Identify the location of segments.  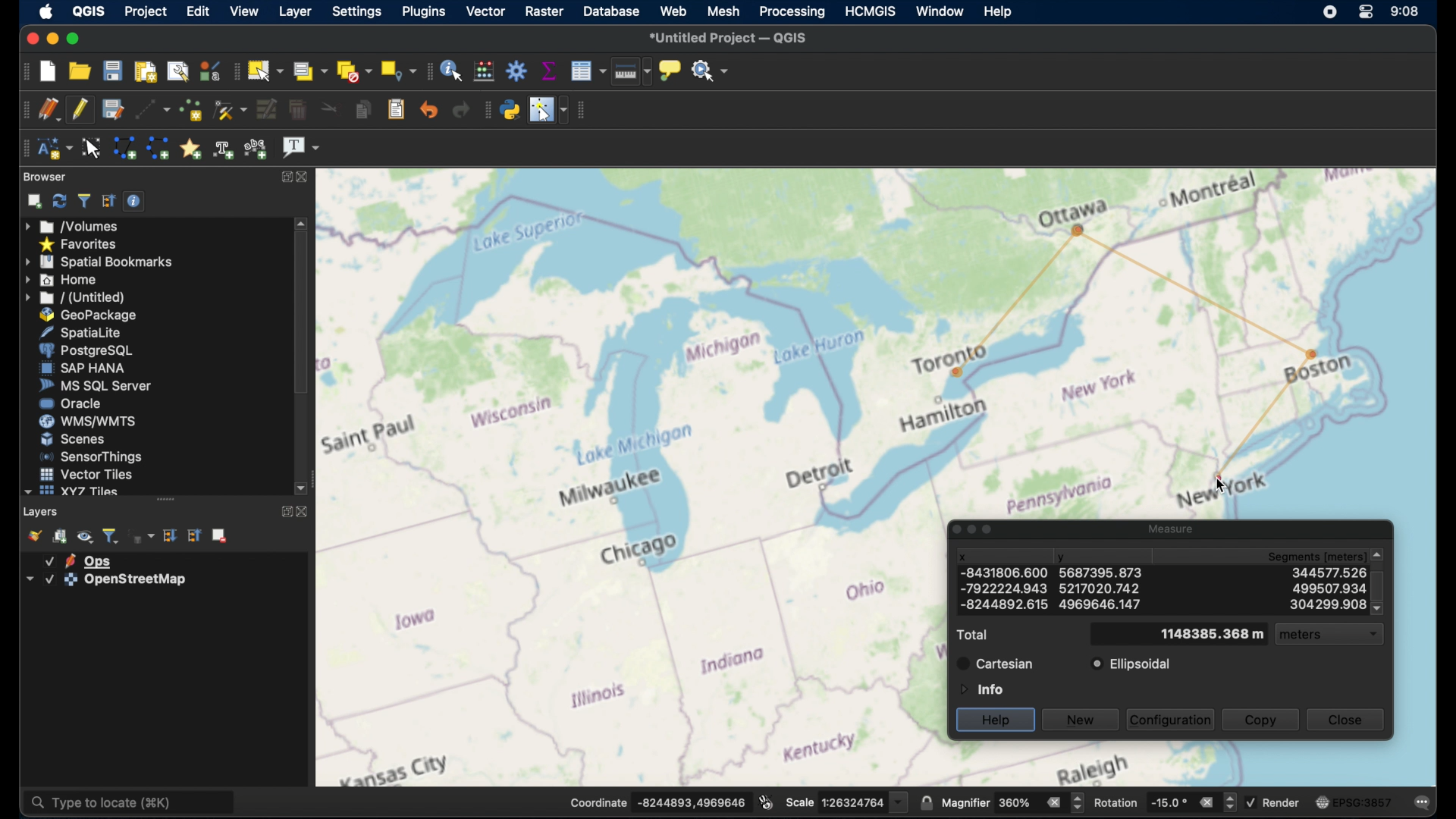
(1332, 571).